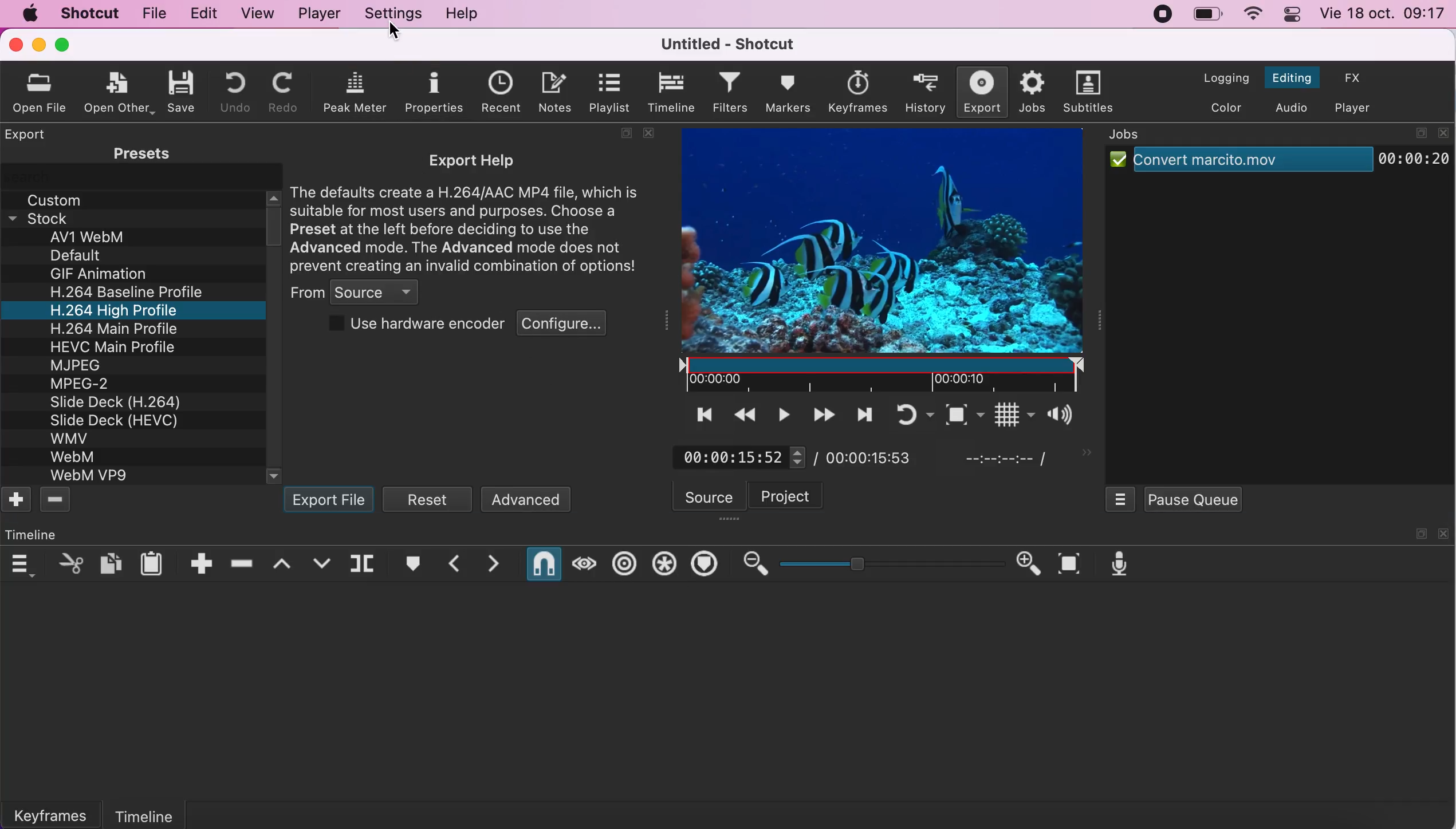 This screenshot has width=1456, height=829. Describe the element at coordinates (663, 565) in the screenshot. I see `ripple all tracks` at that location.